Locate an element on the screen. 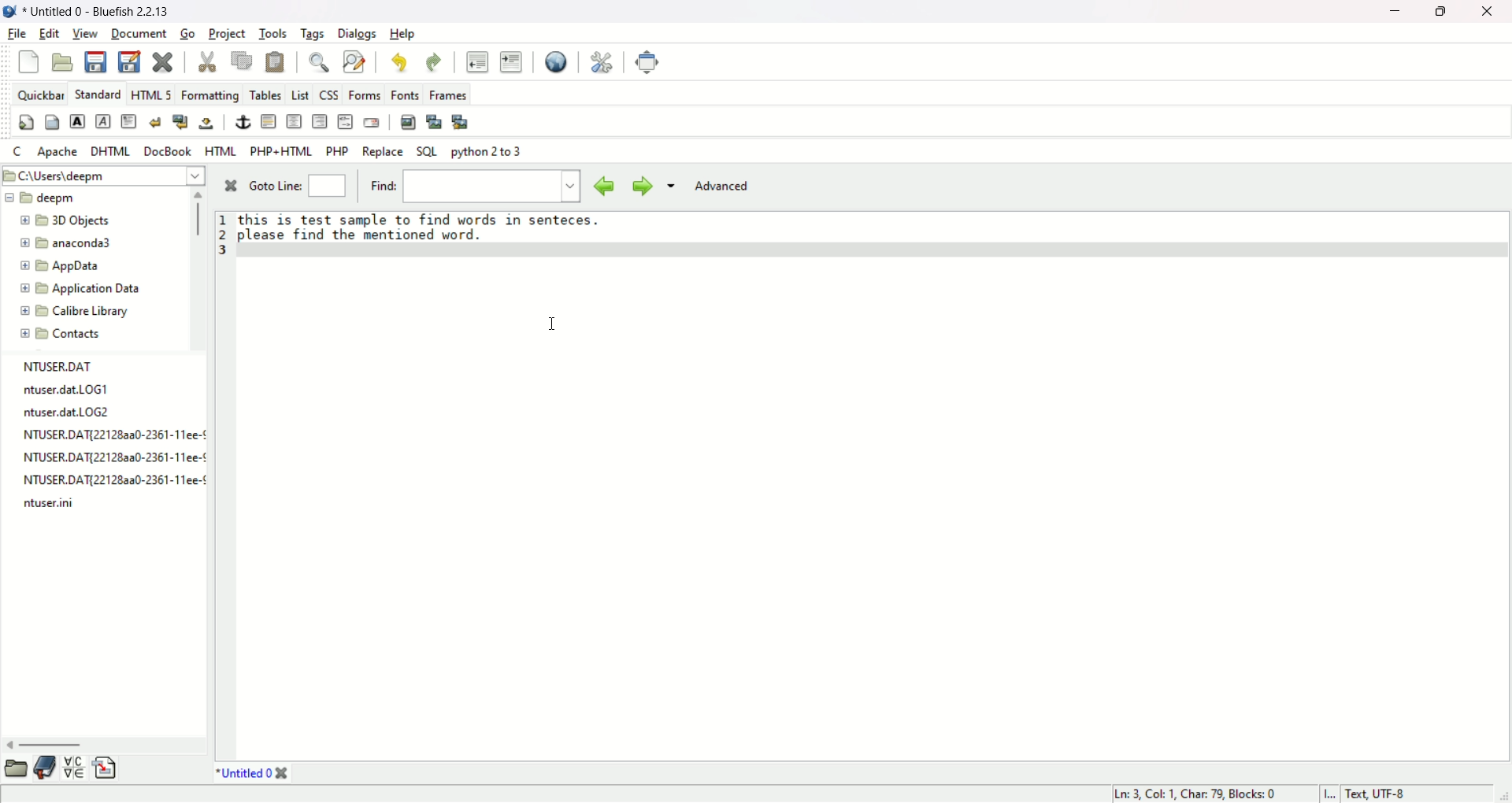  go is located at coordinates (188, 32).